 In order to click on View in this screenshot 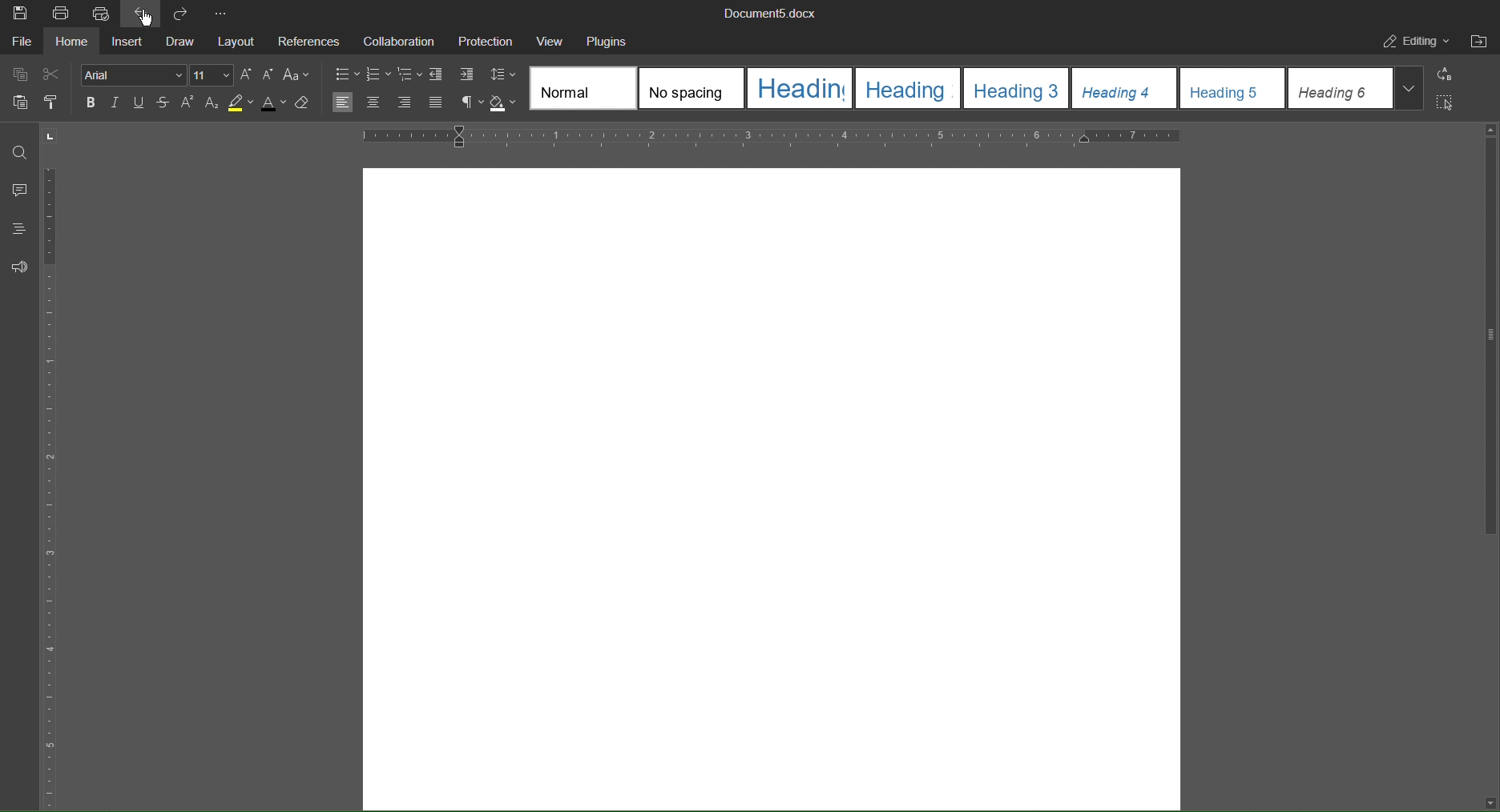, I will do `click(550, 42)`.